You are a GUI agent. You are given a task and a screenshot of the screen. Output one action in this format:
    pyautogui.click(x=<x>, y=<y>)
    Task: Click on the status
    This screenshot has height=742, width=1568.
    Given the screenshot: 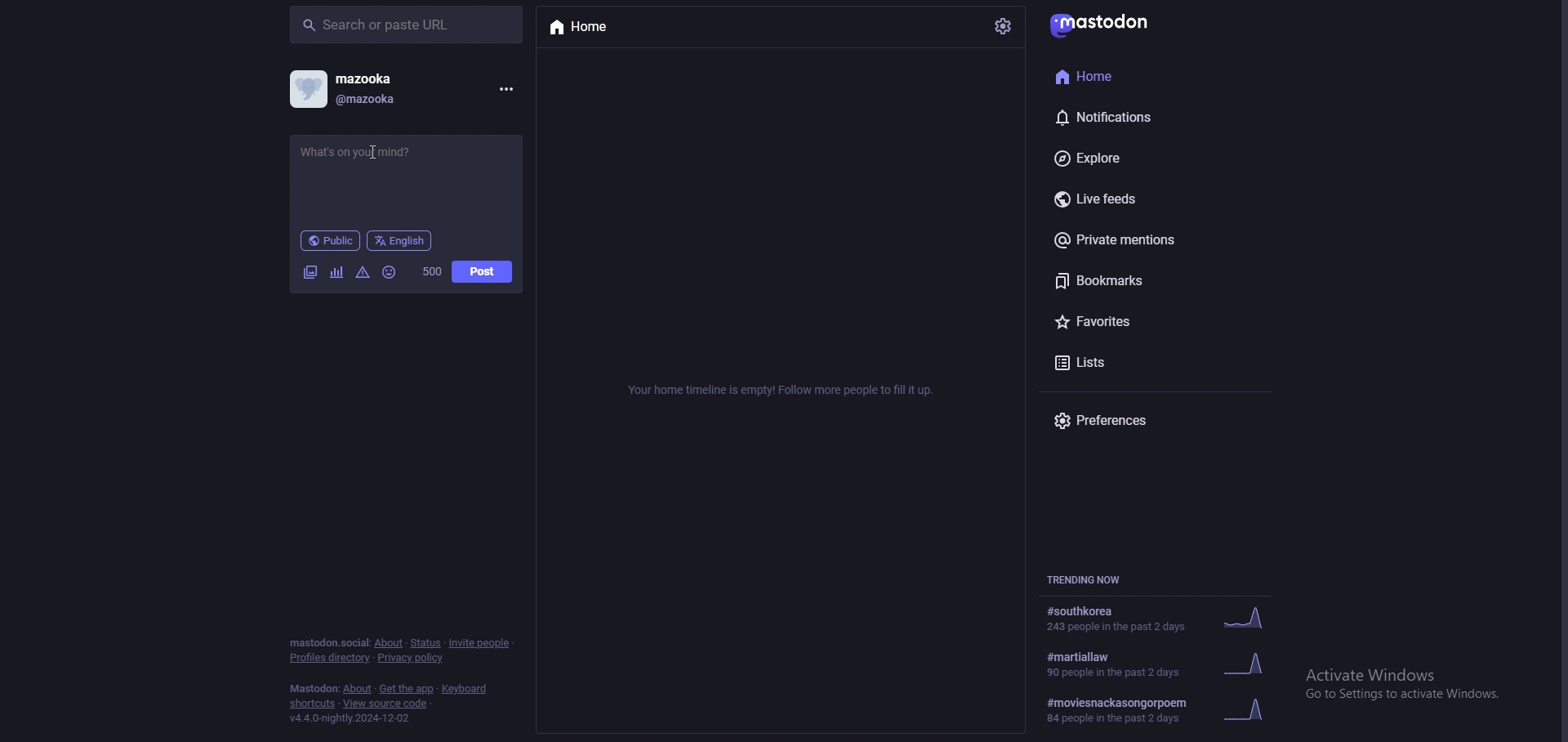 What is the action you would take?
    pyautogui.click(x=374, y=153)
    